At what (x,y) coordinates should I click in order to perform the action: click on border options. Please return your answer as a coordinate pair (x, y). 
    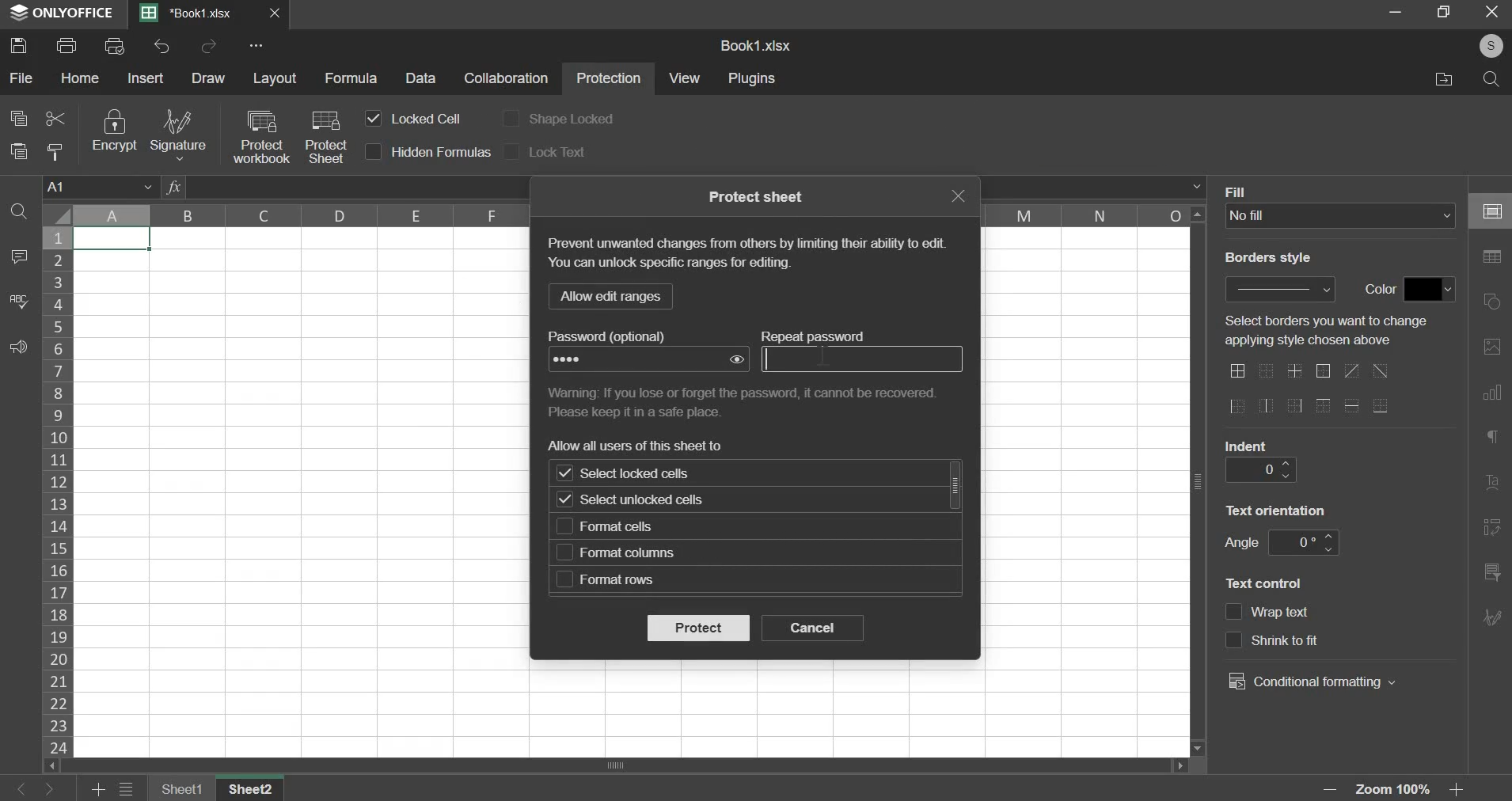
    Looking at the image, I should click on (1324, 407).